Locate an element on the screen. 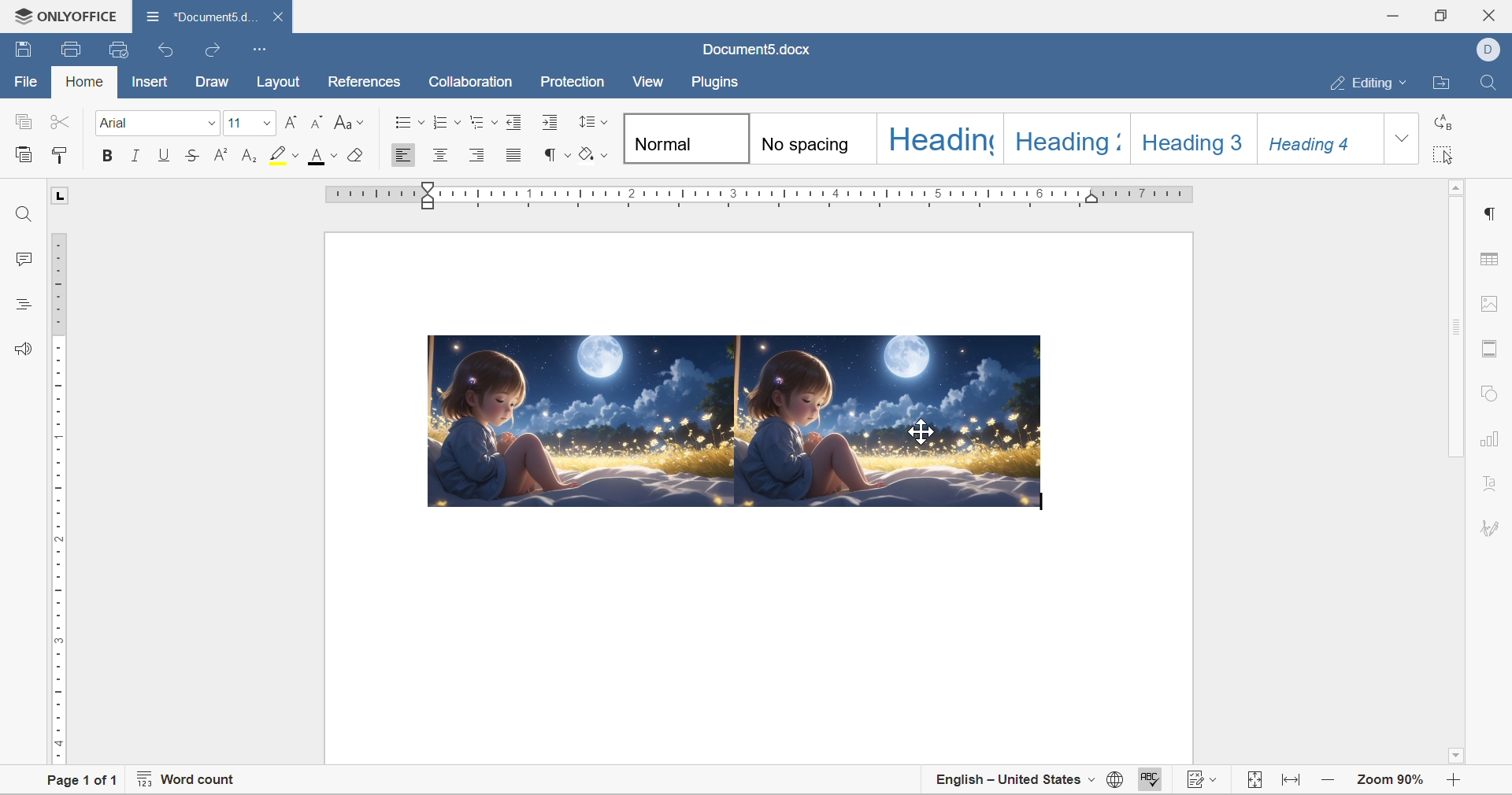  bold is located at coordinates (107, 155).